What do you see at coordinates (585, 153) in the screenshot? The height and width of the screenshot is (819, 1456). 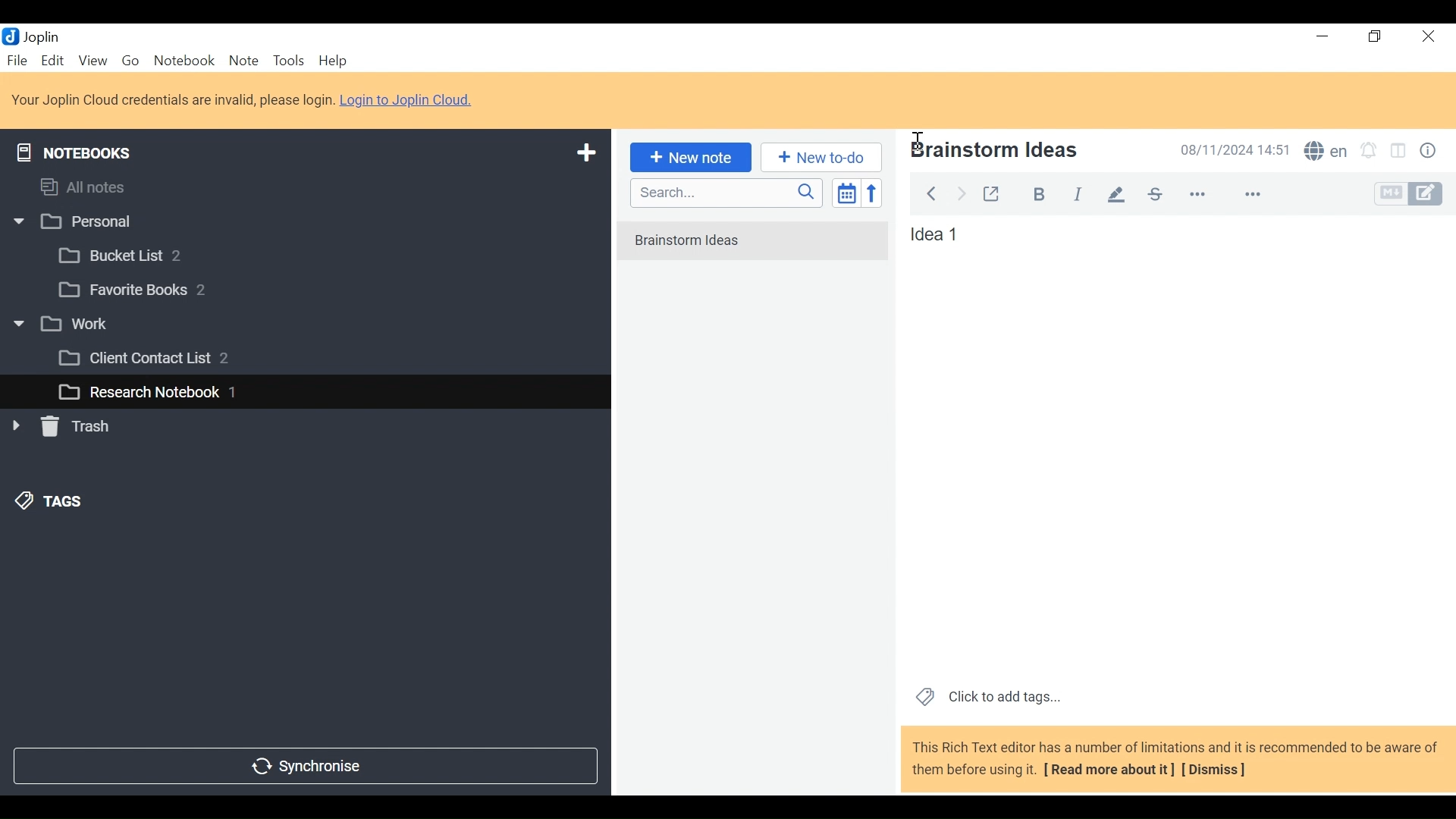 I see `Add New Notebook` at bounding box center [585, 153].